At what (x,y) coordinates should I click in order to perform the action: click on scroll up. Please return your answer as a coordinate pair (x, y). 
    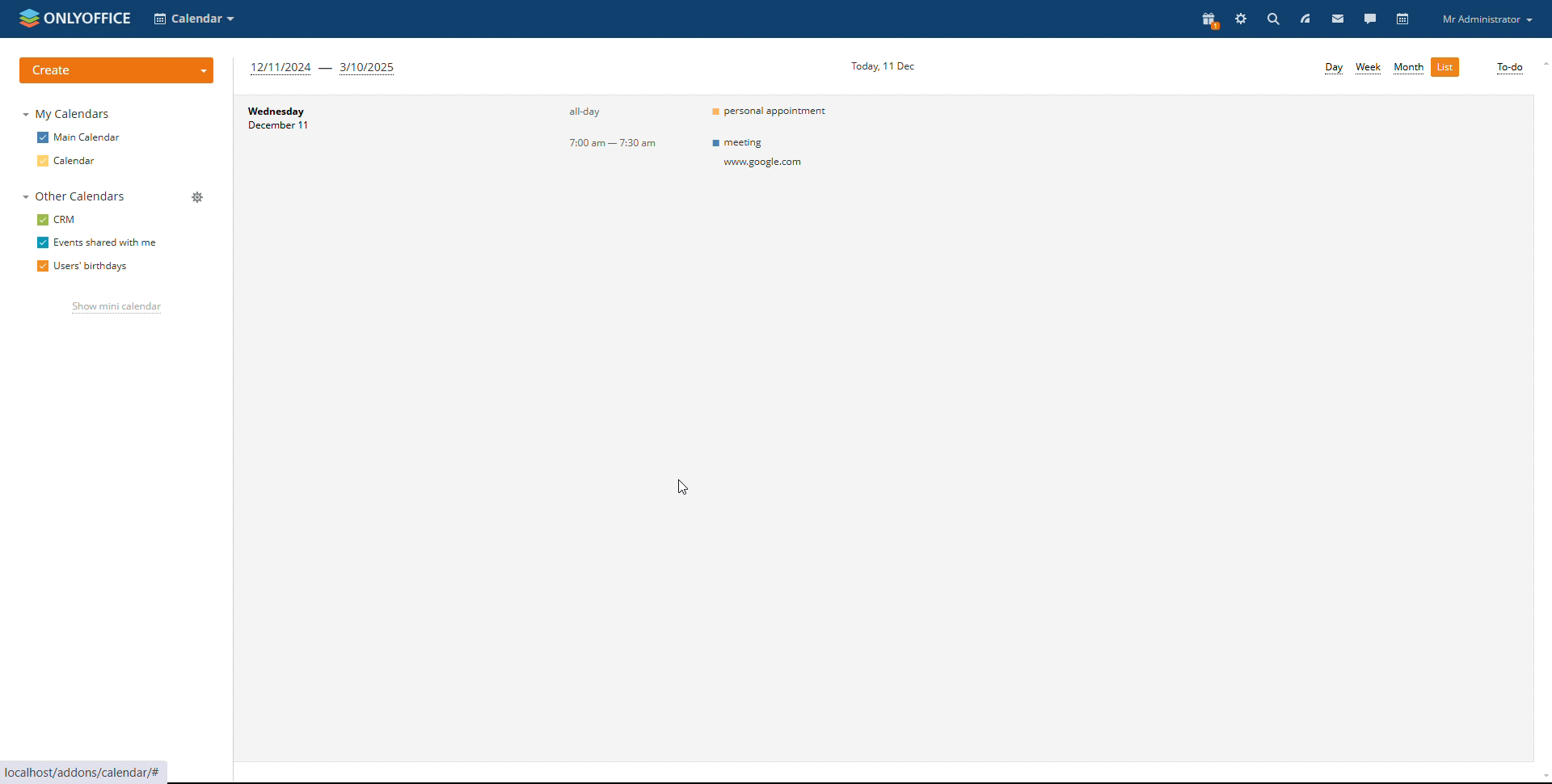
    Looking at the image, I should click on (1542, 64).